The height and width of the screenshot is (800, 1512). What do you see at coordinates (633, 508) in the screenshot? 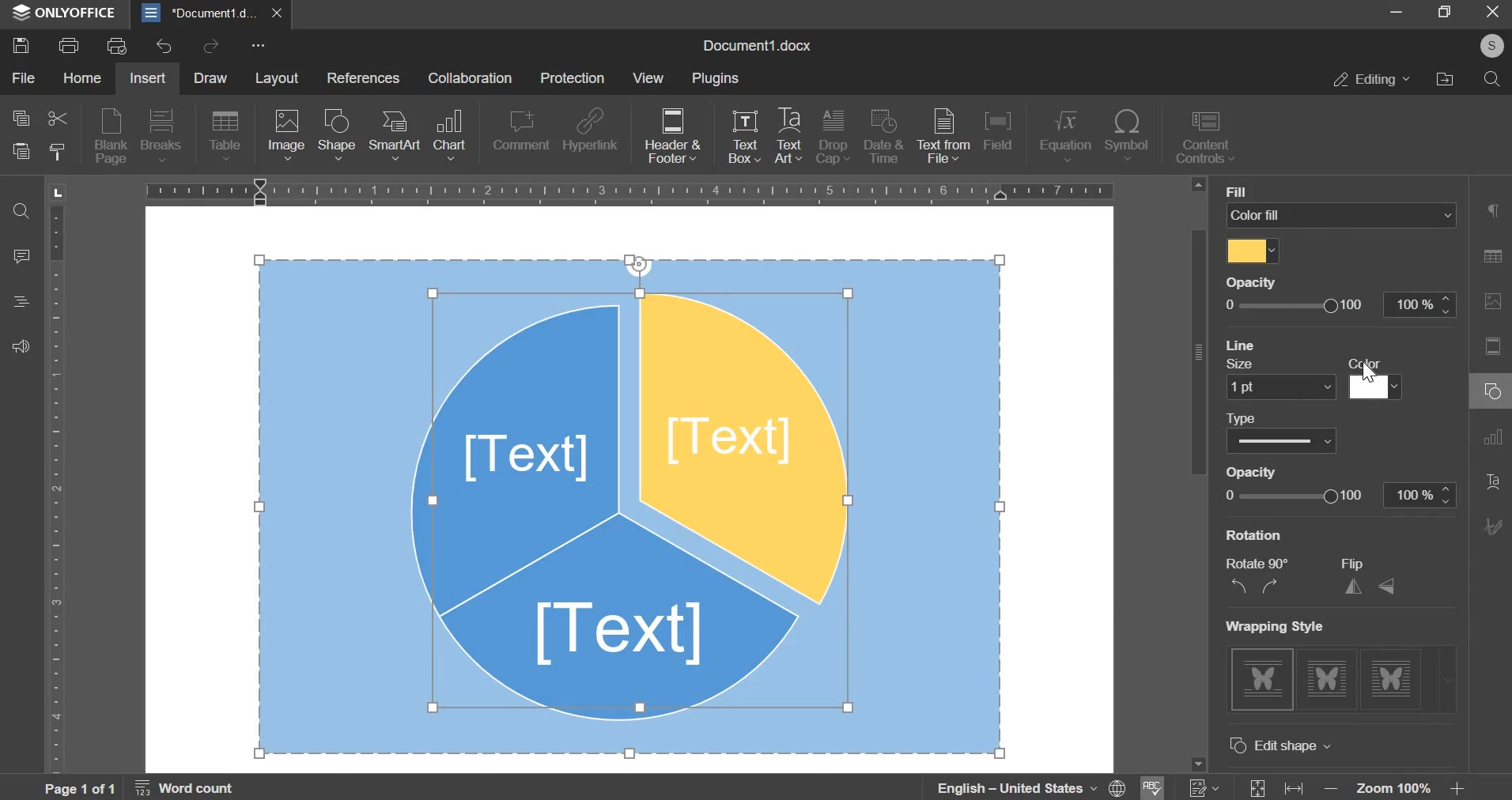
I see `object` at bounding box center [633, 508].